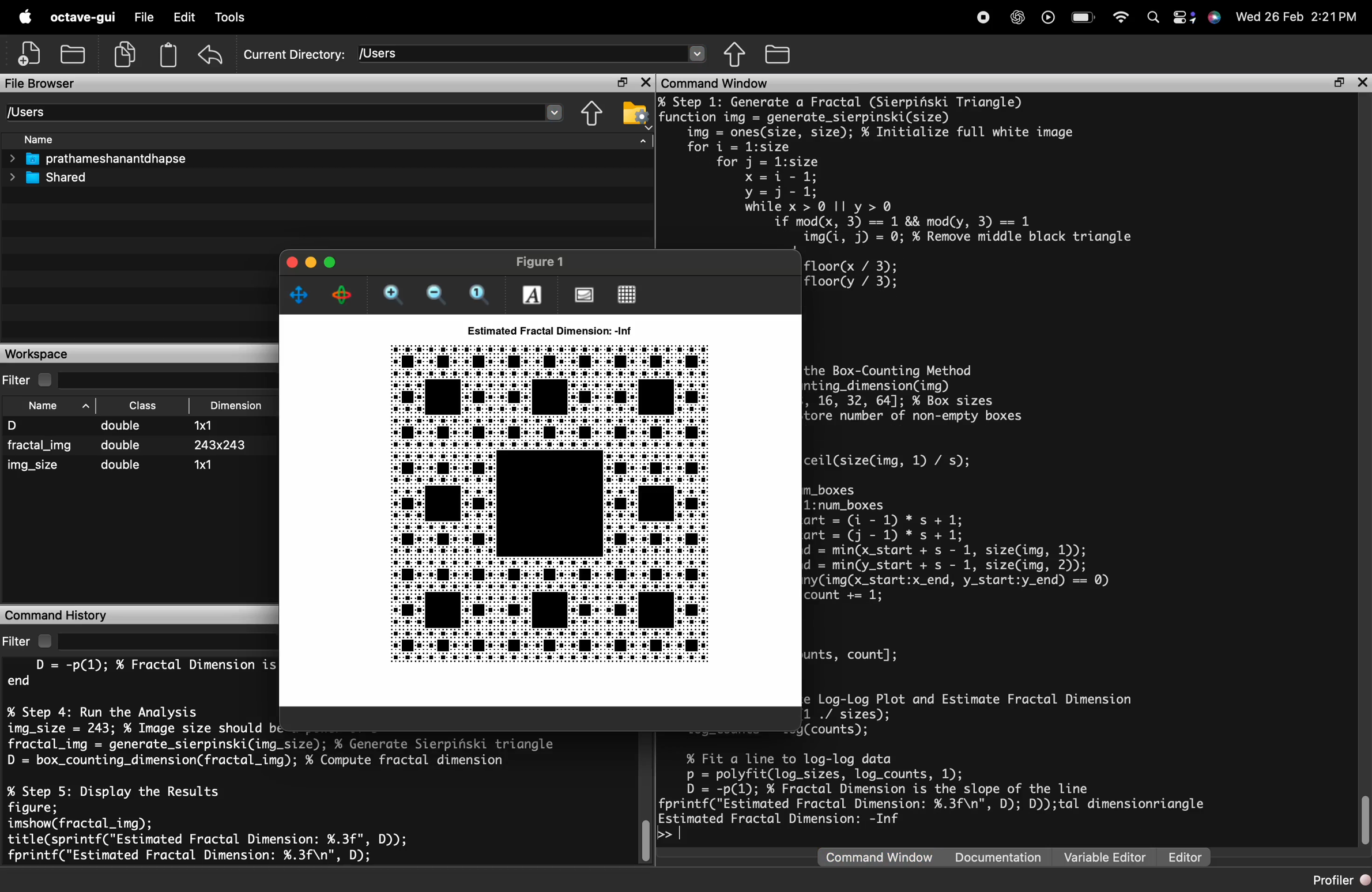 The image size is (1372, 892). What do you see at coordinates (586, 294) in the screenshot?
I see `portrait` at bounding box center [586, 294].